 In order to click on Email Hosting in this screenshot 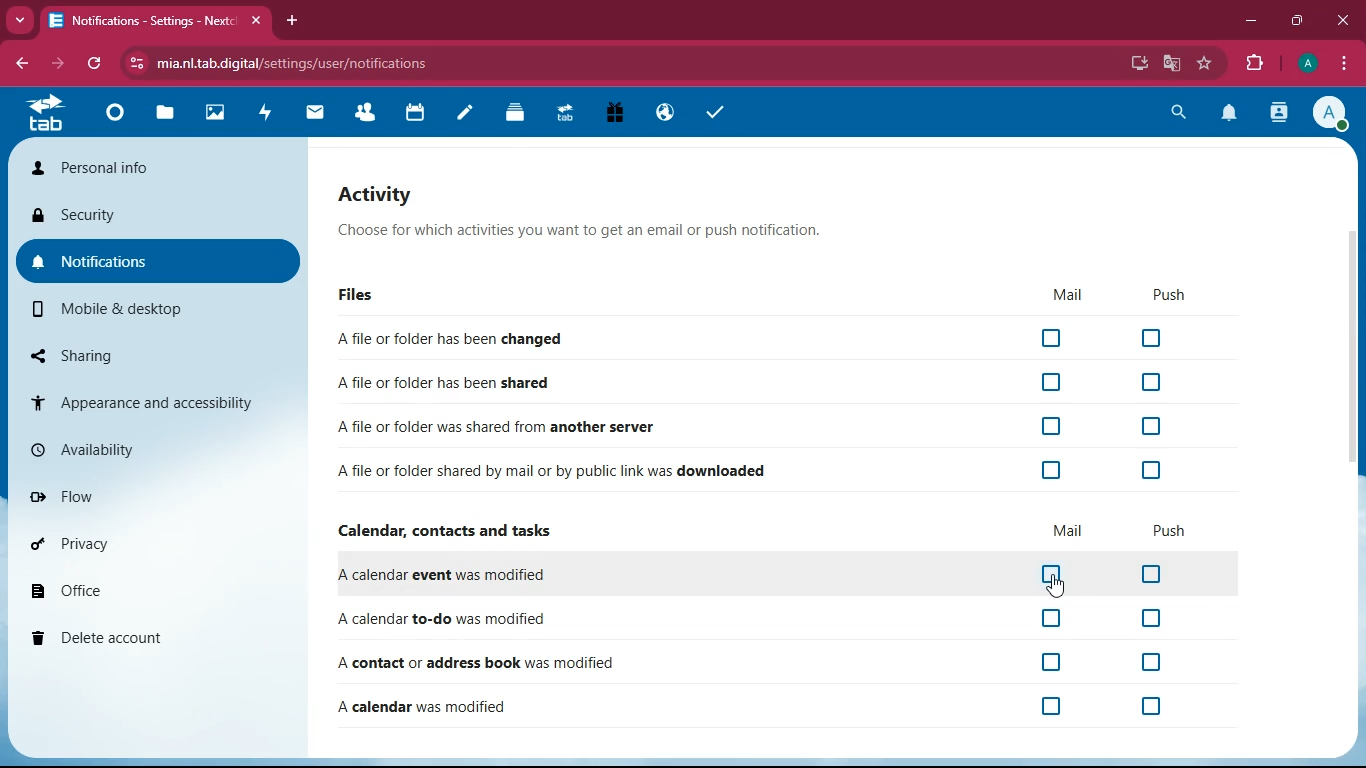, I will do `click(666, 114)`.